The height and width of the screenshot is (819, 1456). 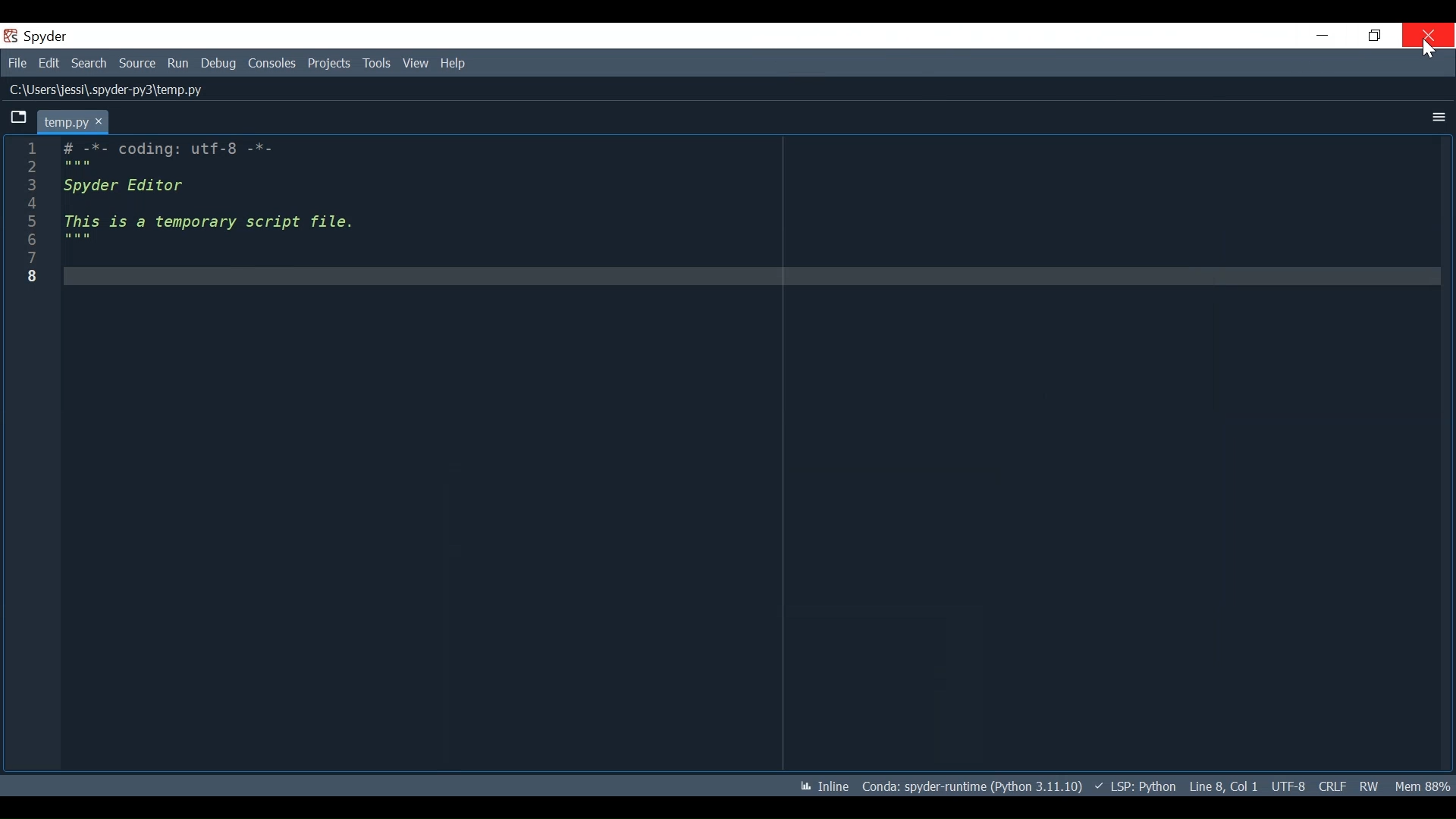 What do you see at coordinates (137, 63) in the screenshot?
I see `Source` at bounding box center [137, 63].